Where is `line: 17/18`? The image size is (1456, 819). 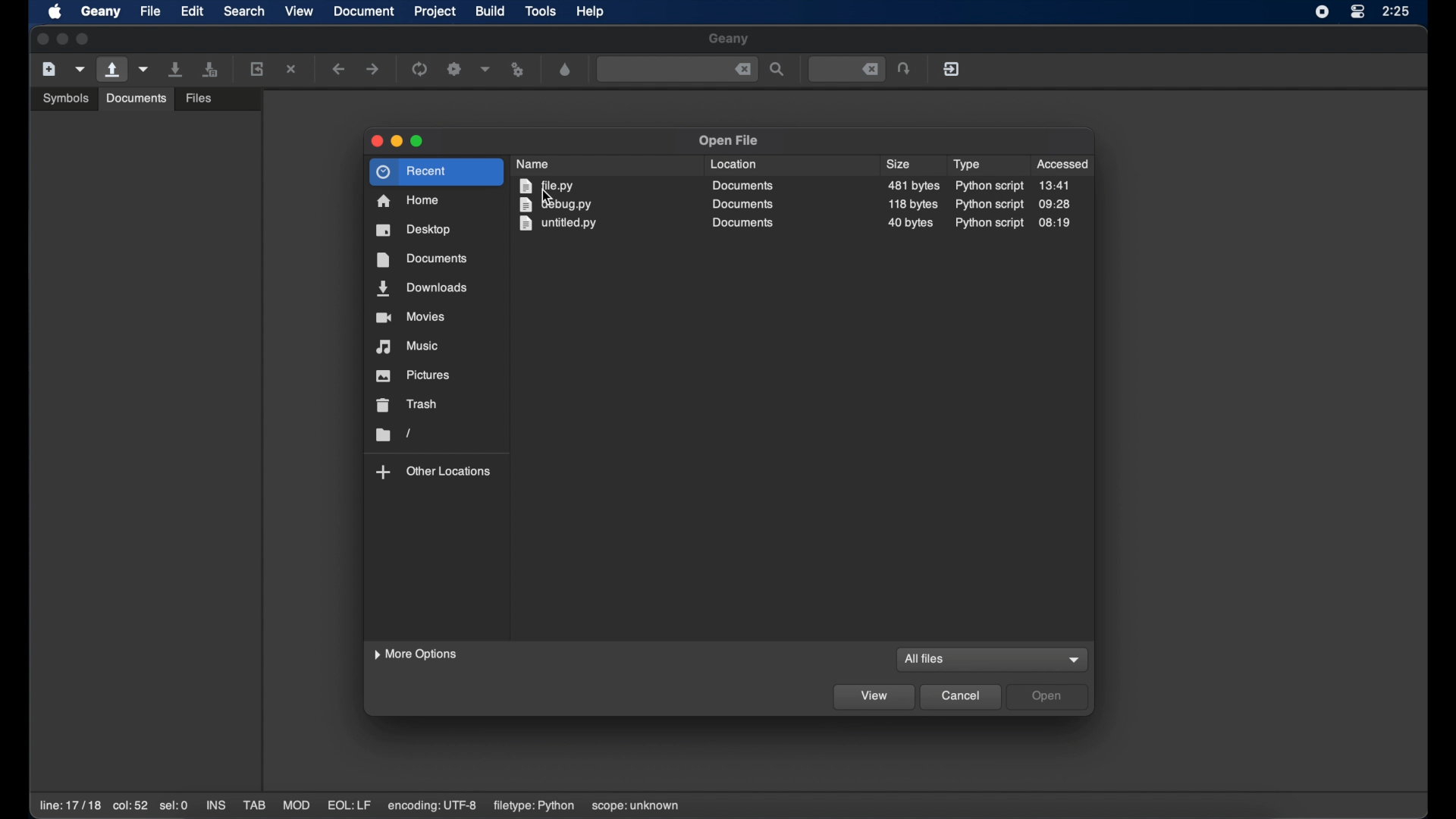
line: 17/18 is located at coordinates (69, 806).